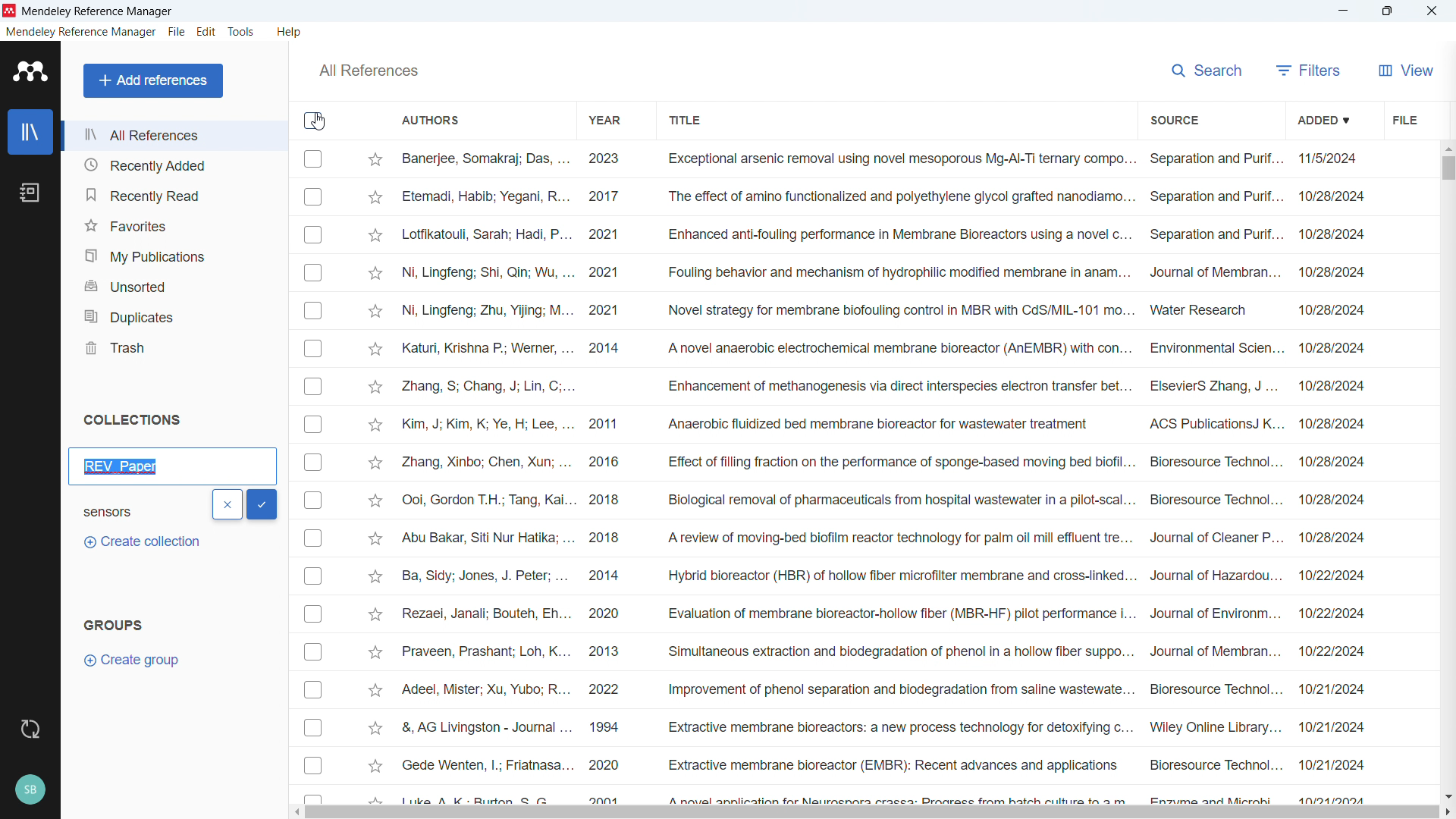 This screenshot has width=1456, height=819. I want to click on Star mark respective publication, so click(376, 349).